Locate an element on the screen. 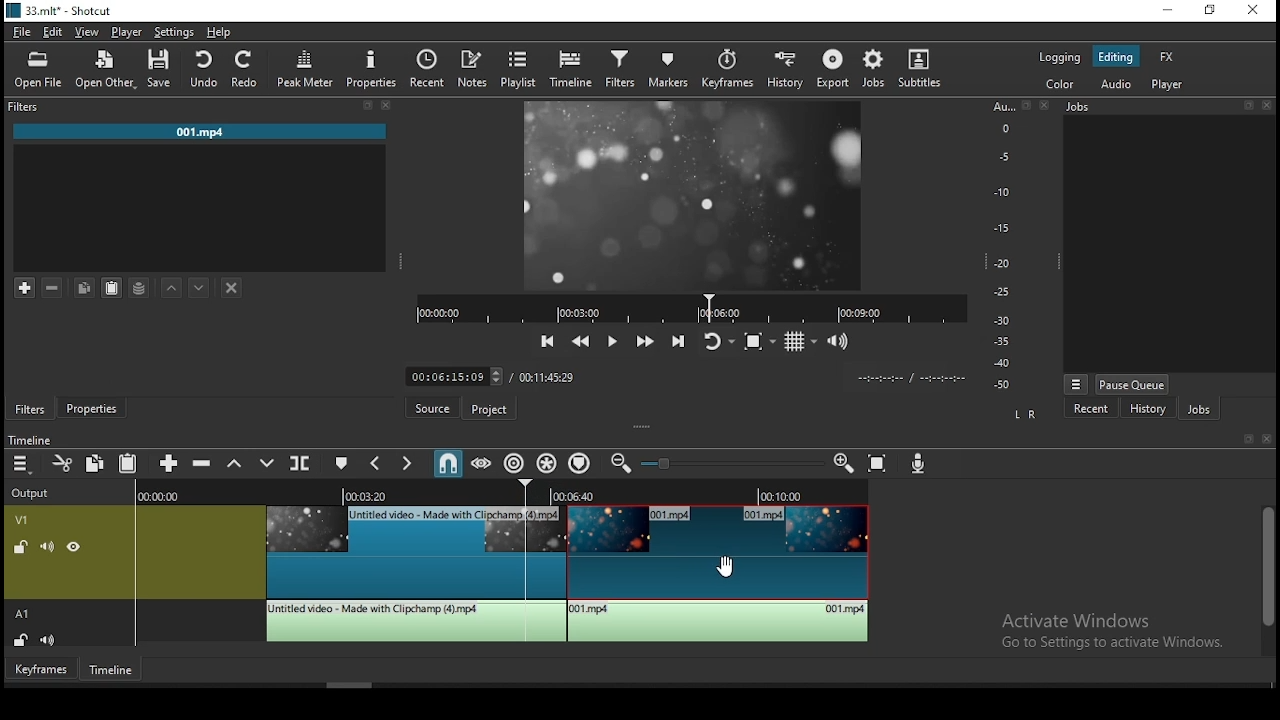 This screenshot has width=1280, height=720. edit is located at coordinates (54, 30).